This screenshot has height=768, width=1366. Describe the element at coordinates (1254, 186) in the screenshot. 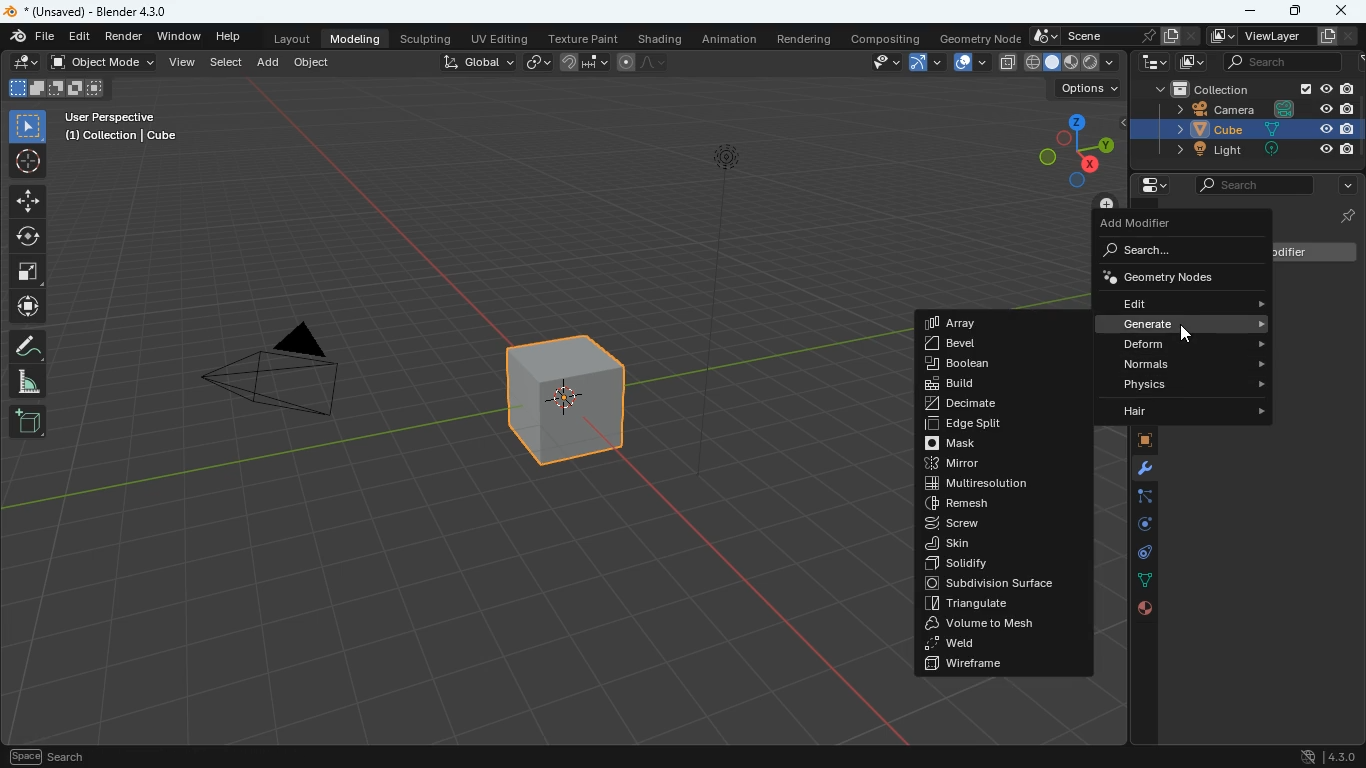

I see `search` at that location.